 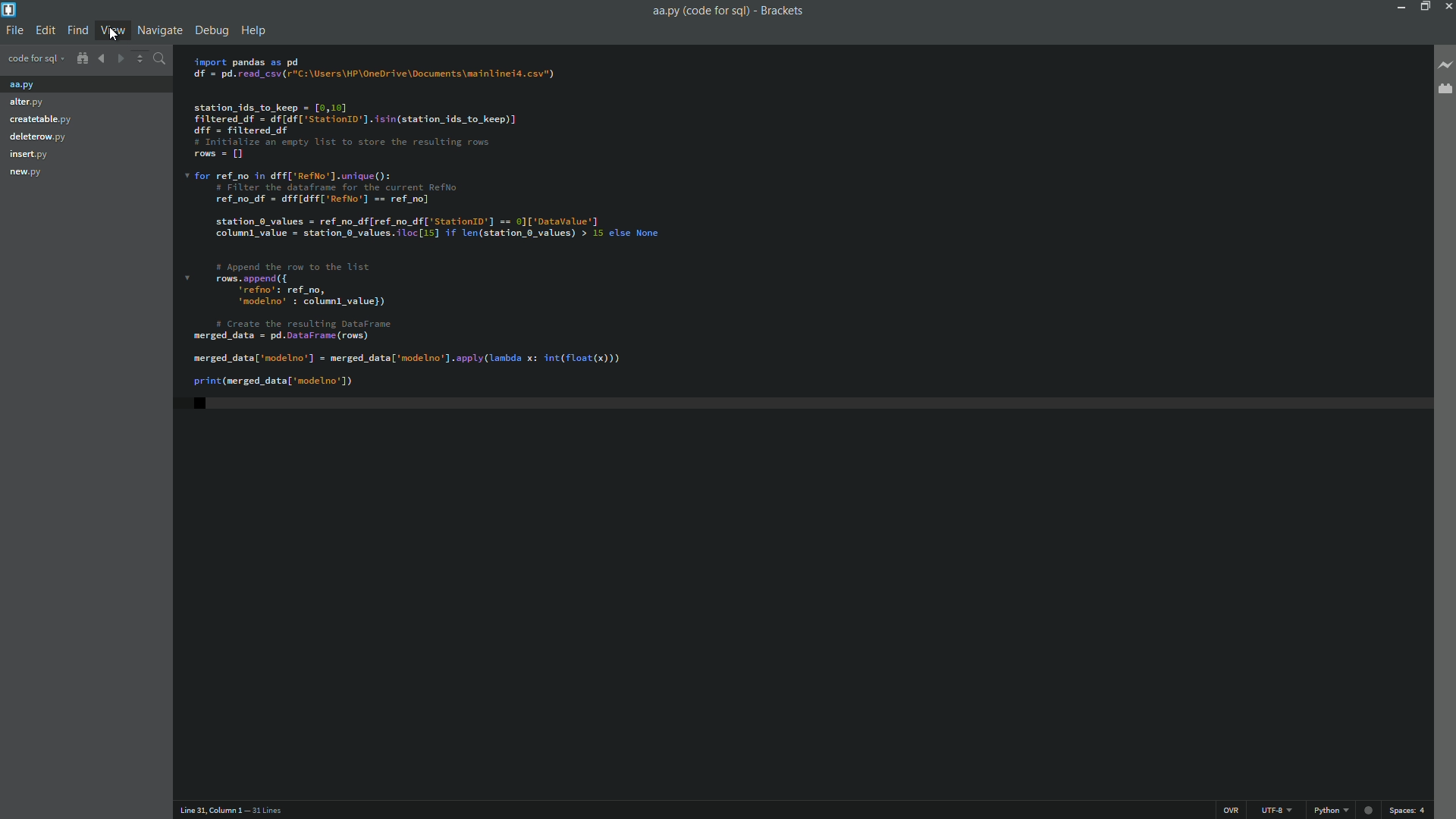 What do you see at coordinates (24, 174) in the screenshot?
I see `new.py` at bounding box center [24, 174].